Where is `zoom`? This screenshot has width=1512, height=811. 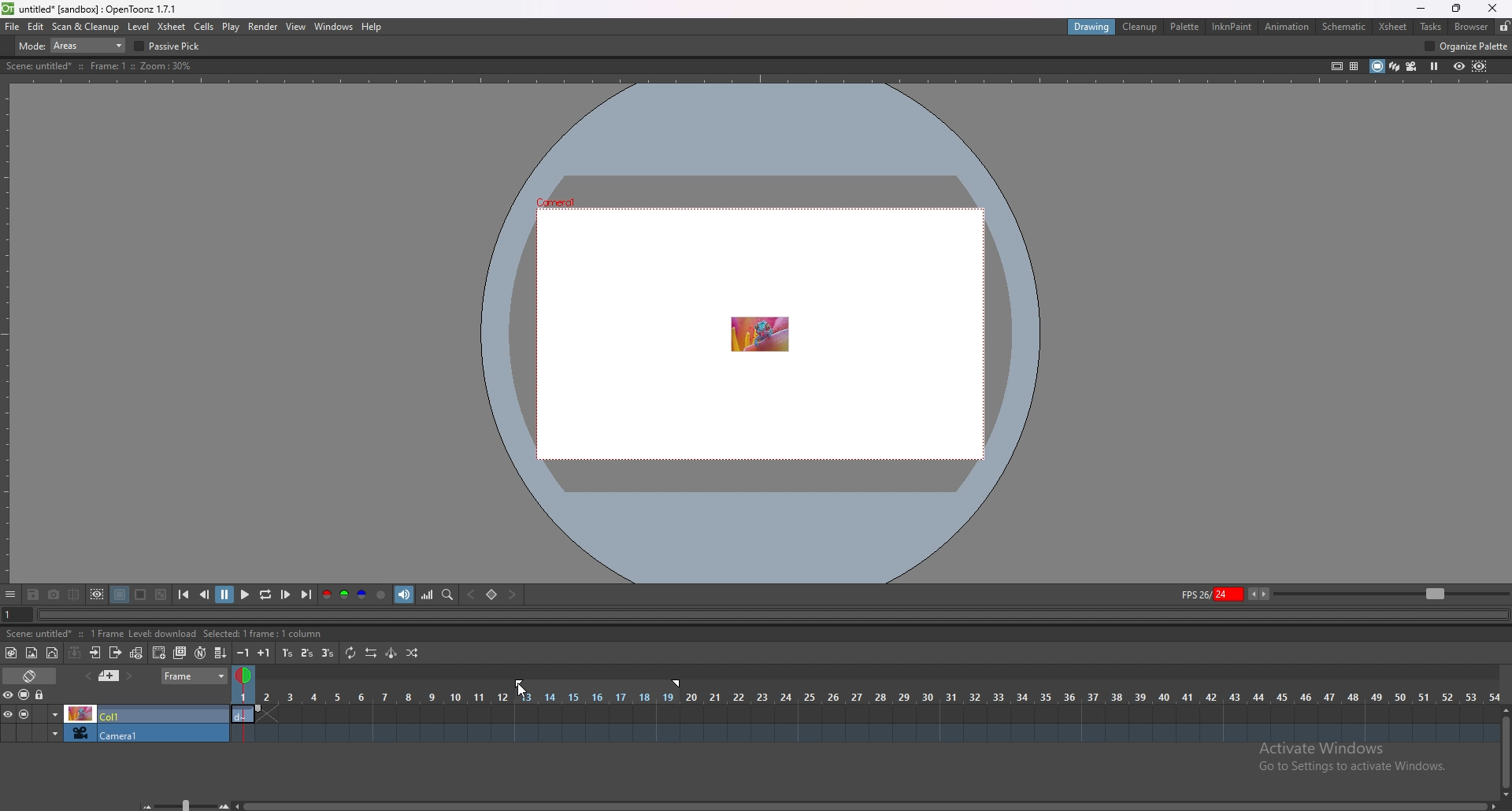 zoom is located at coordinates (1392, 592).